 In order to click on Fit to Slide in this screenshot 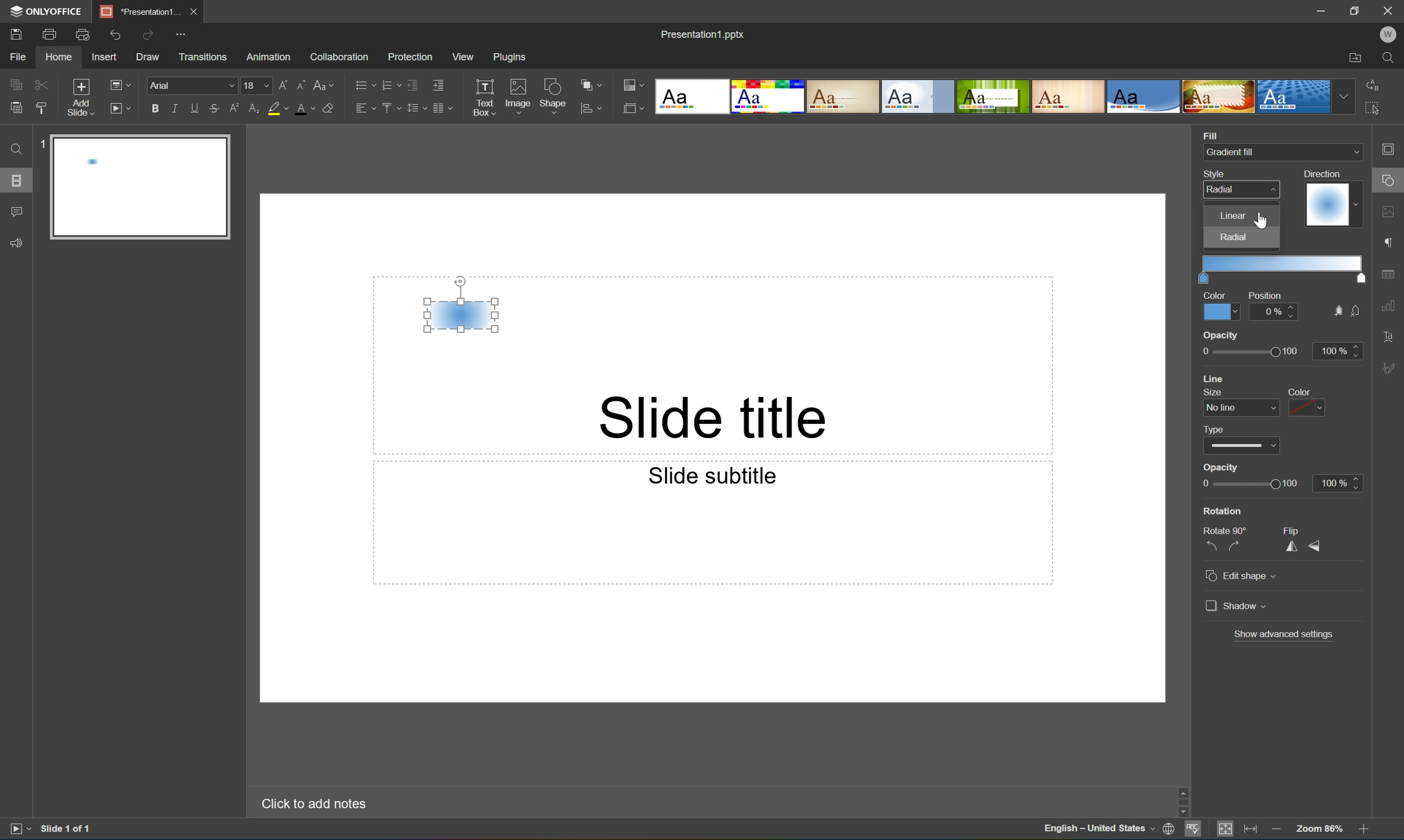, I will do `click(1228, 829)`.